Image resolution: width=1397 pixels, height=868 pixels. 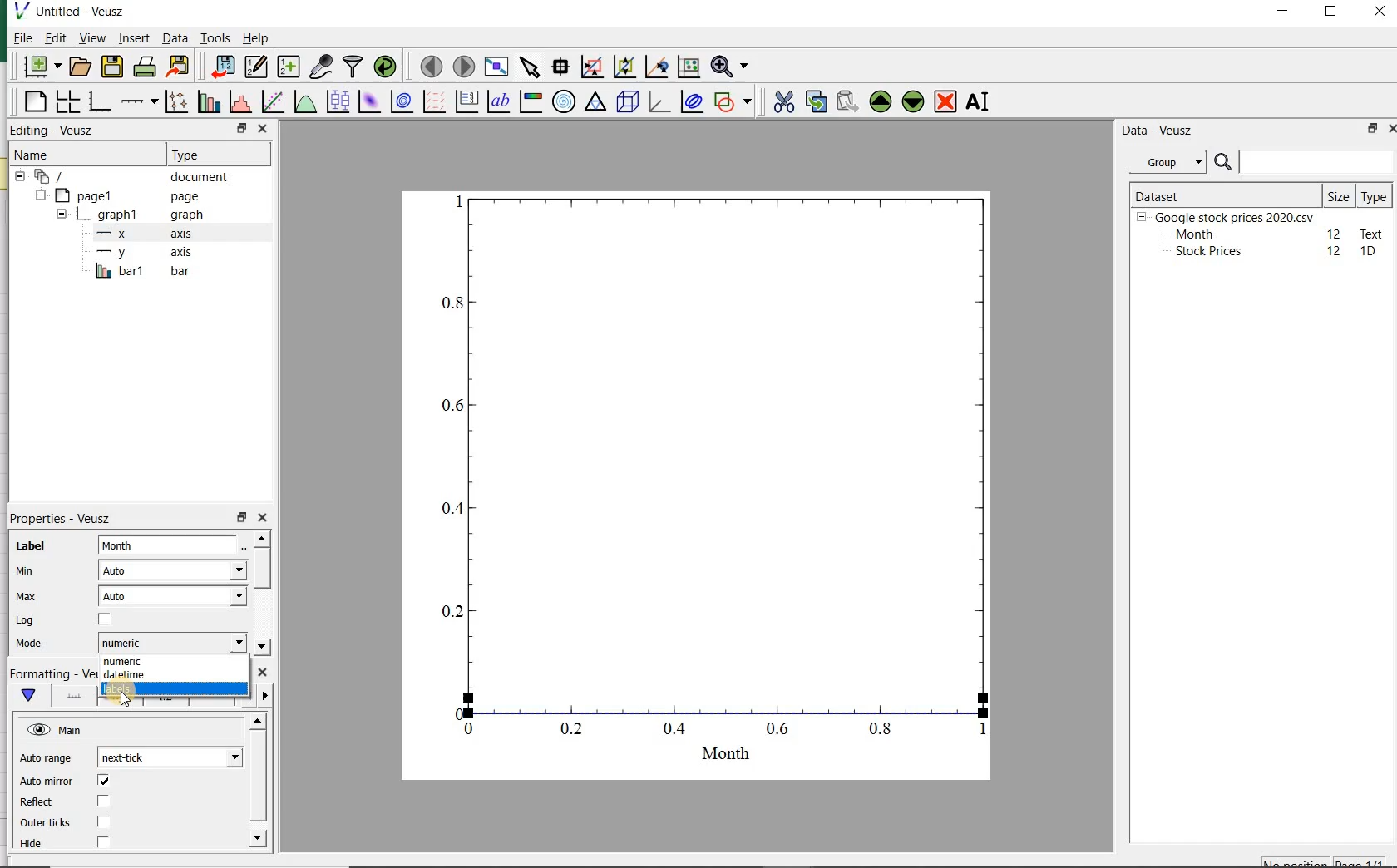 I want to click on click or draw a rectangle to zoom graph axes, so click(x=591, y=67).